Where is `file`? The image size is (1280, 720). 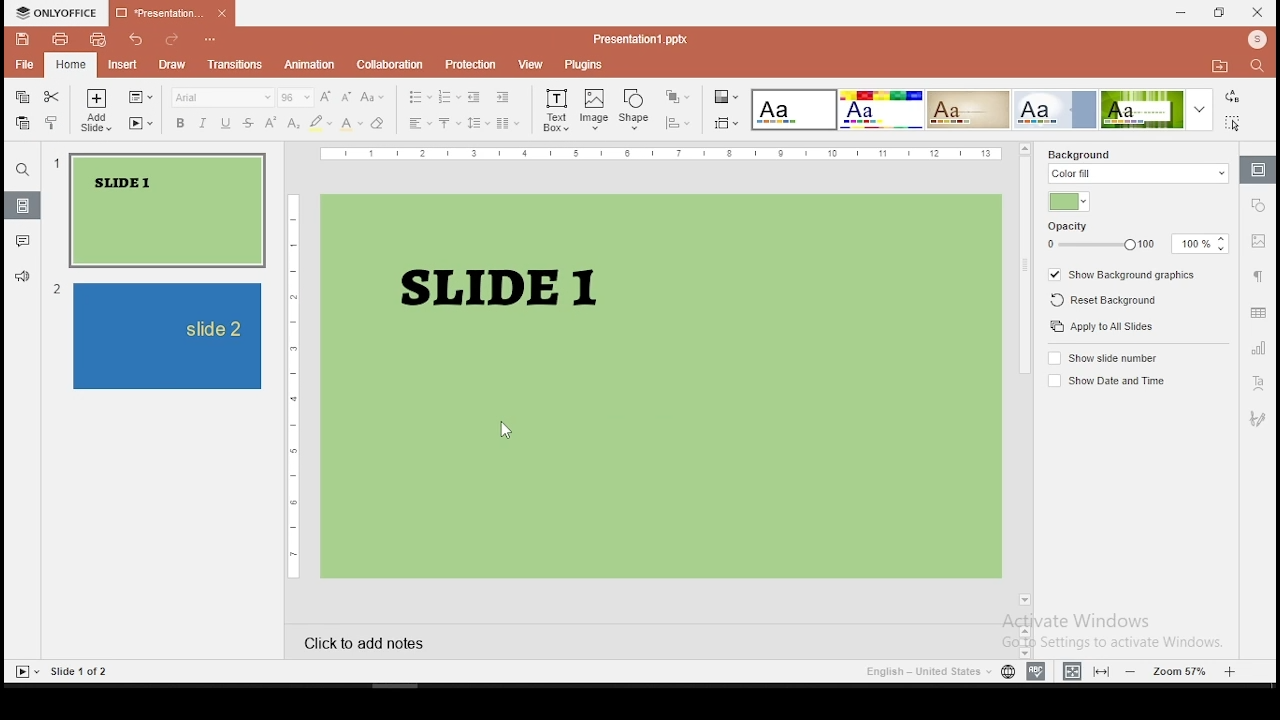
file is located at coordinates (25, 65).